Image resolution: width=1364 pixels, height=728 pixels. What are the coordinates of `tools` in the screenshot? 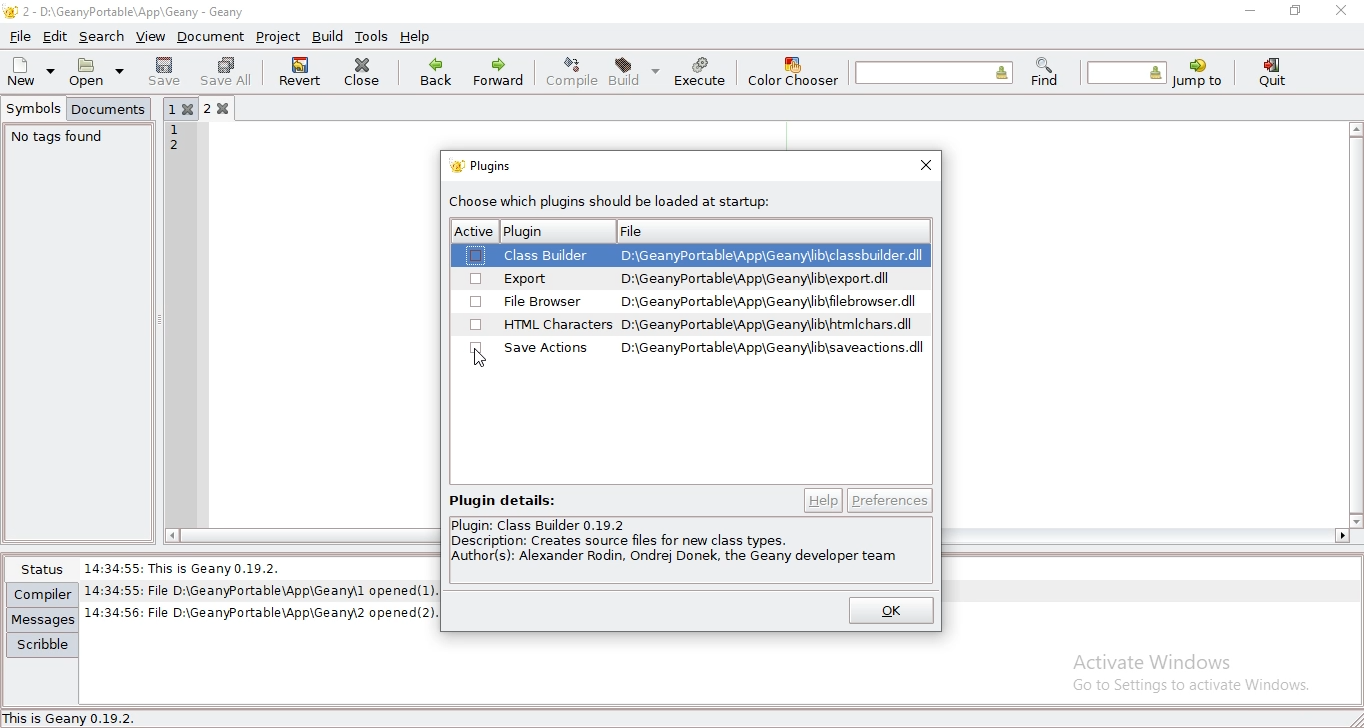 It's located at (372, 36).